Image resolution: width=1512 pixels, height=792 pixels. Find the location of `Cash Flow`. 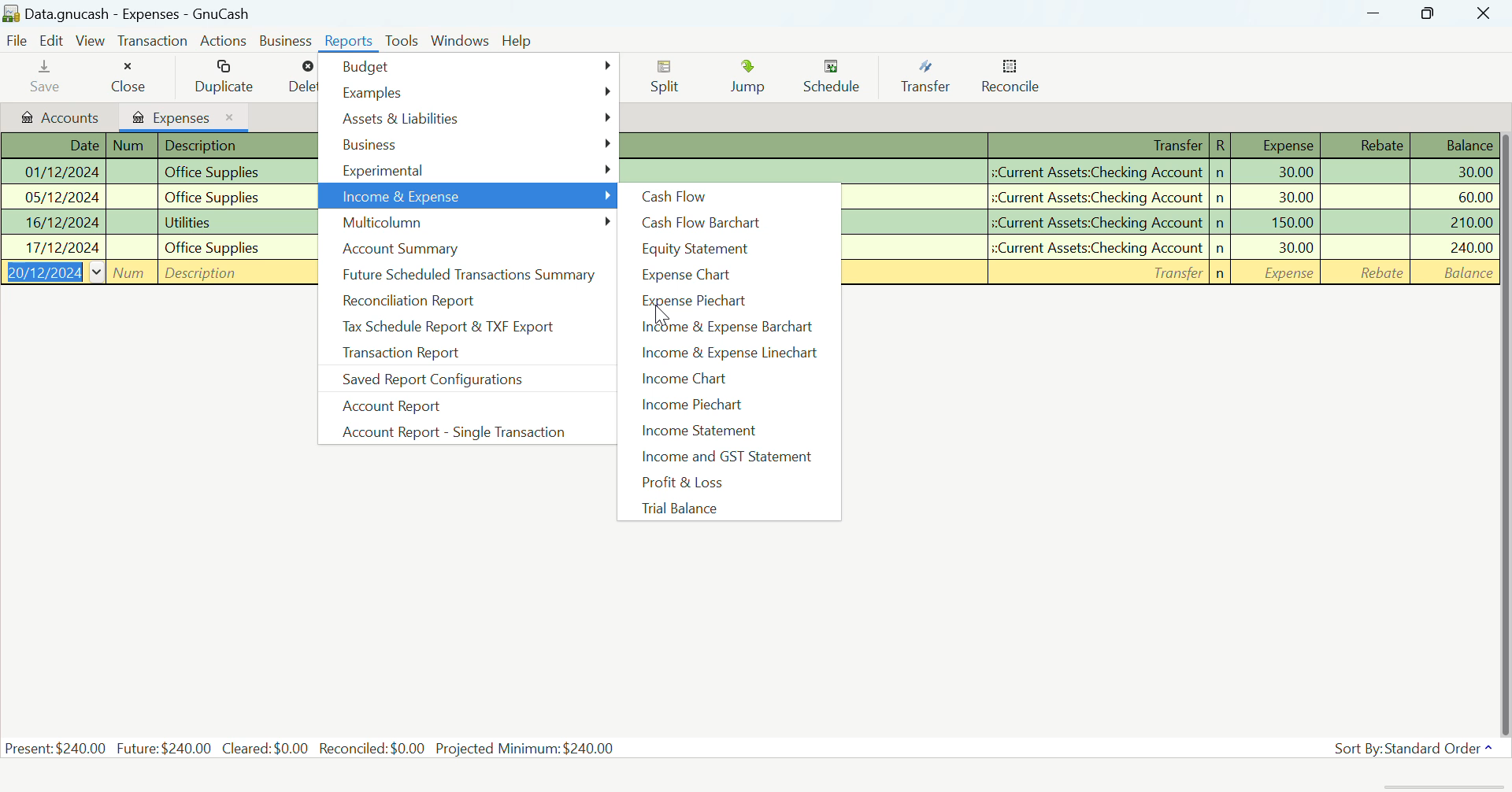

Cash Flow is located at coordinates (728, 197).